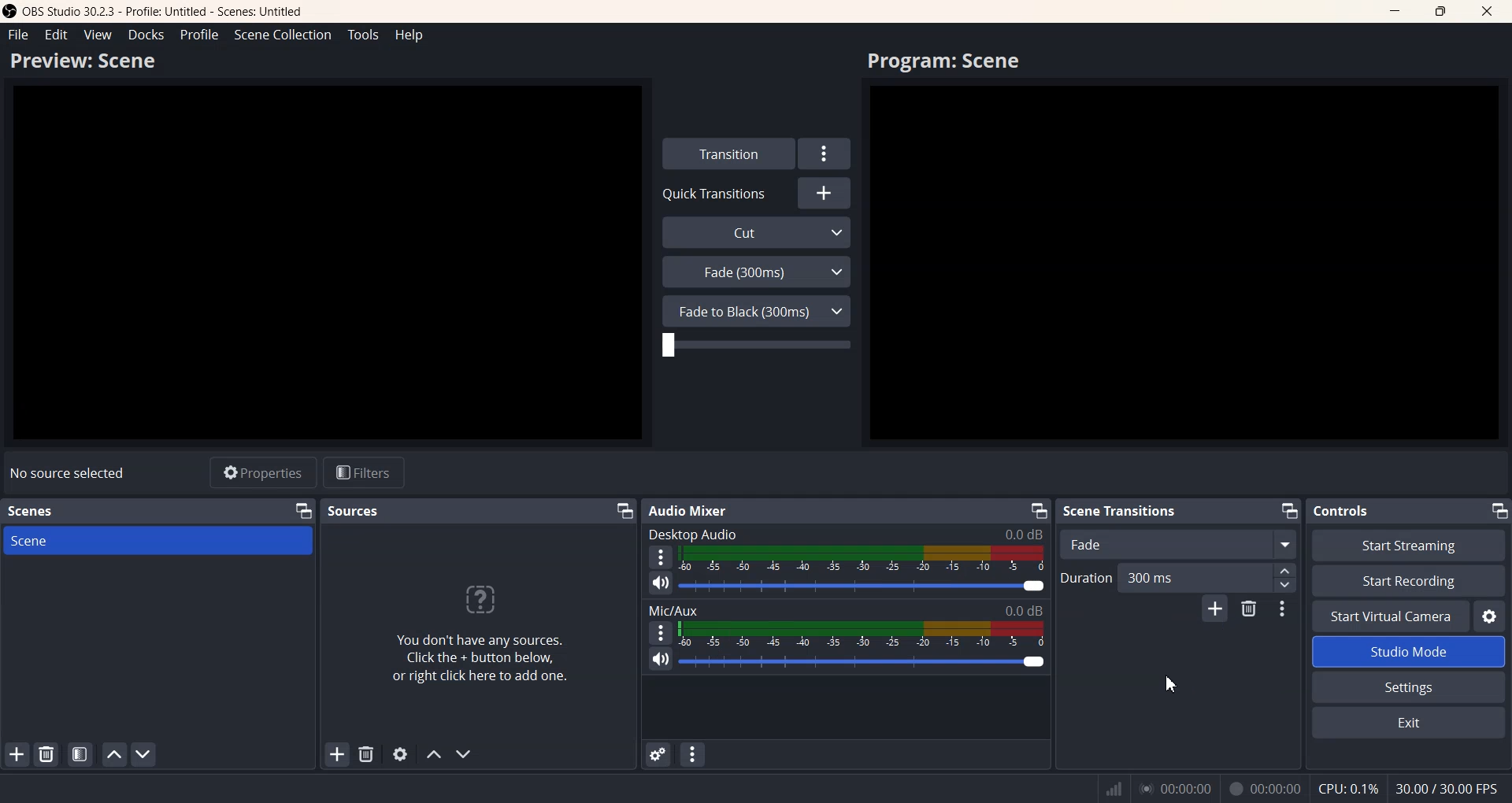  I want to click on Fade to Black (300ms), so click(752, 311).